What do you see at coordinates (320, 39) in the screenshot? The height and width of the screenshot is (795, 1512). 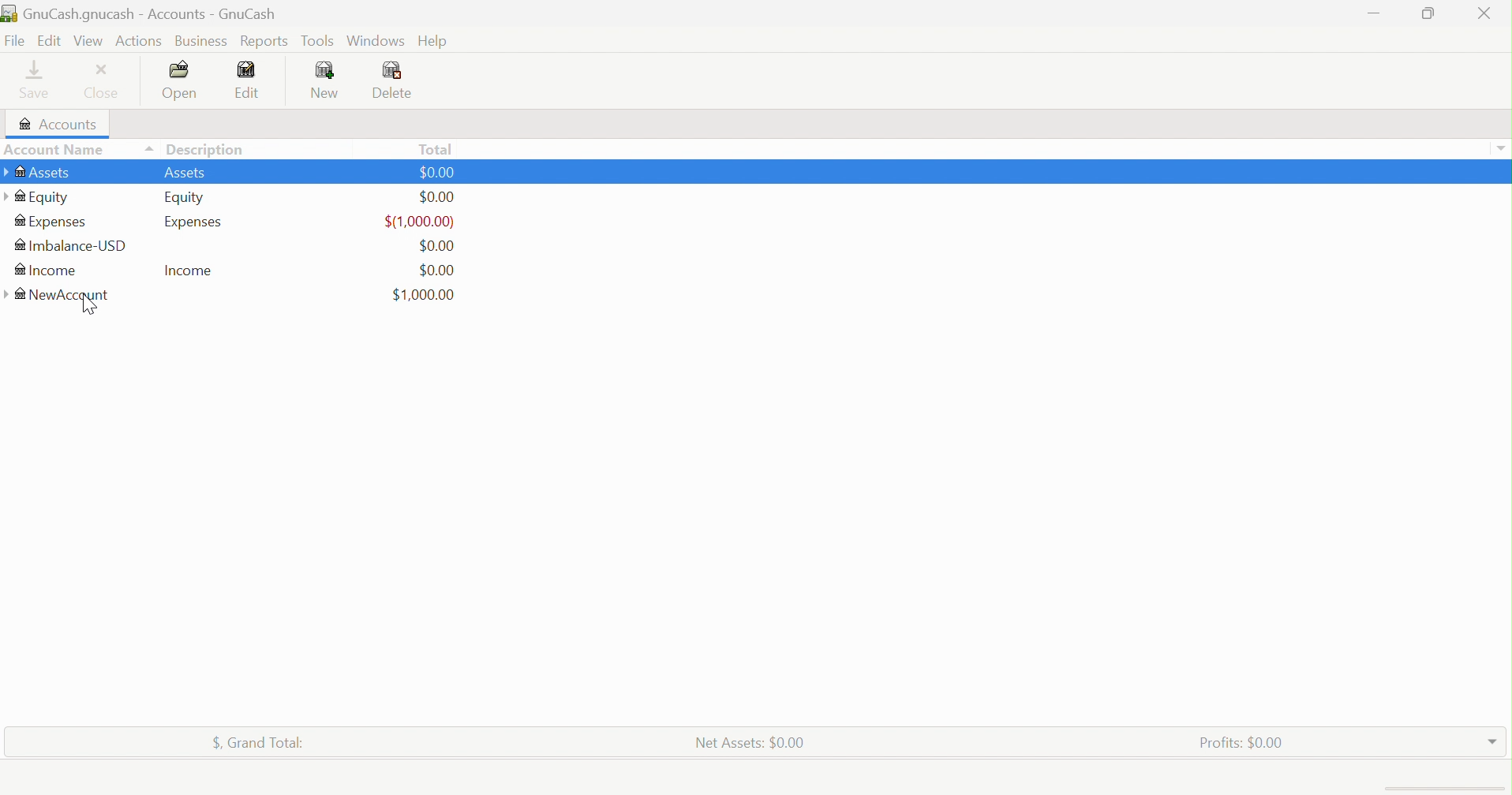 I see `Tools` at bounding box center [320, 39].